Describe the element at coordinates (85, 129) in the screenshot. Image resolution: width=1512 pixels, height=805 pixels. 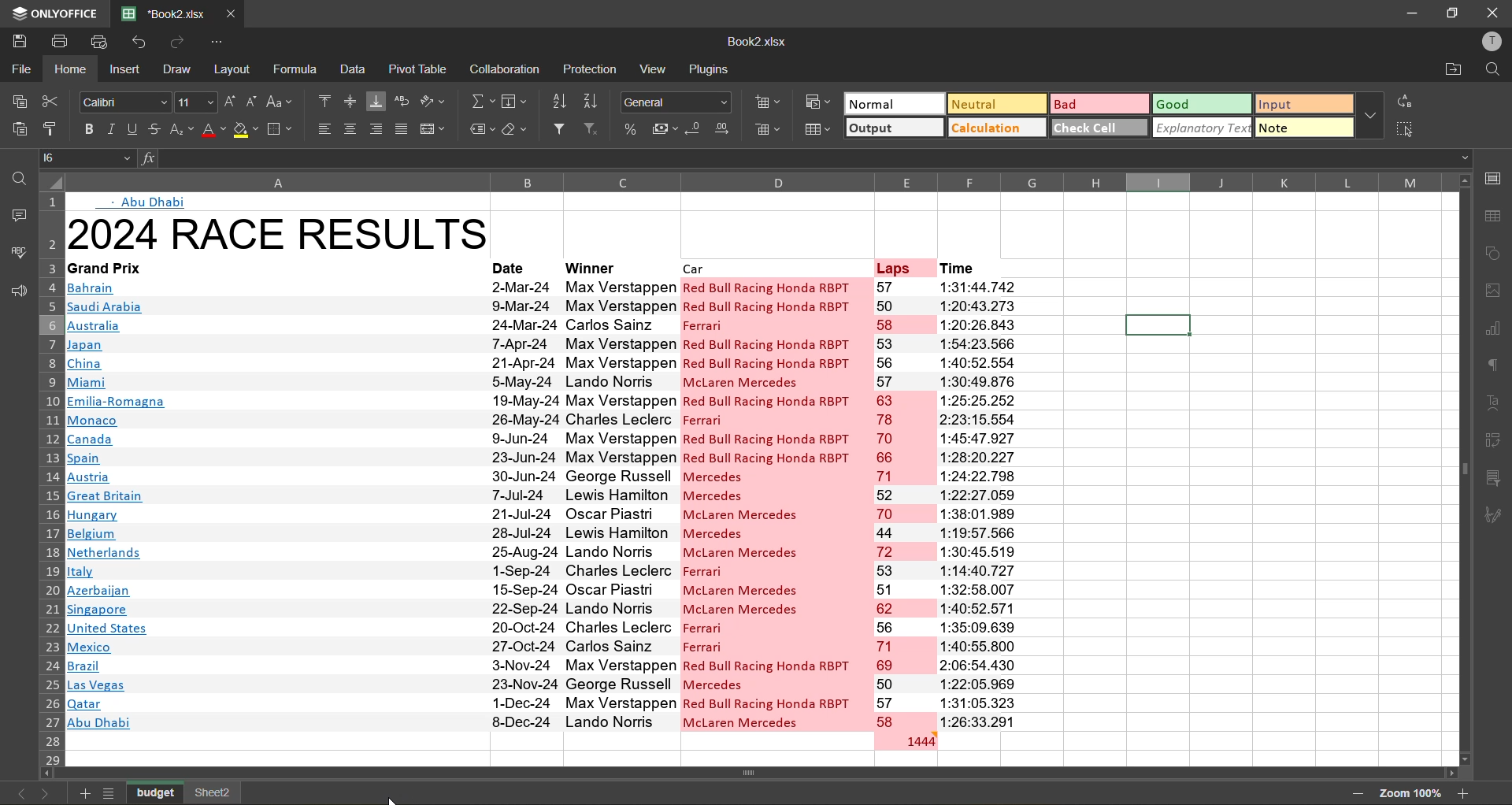
I see `bold` at that location.